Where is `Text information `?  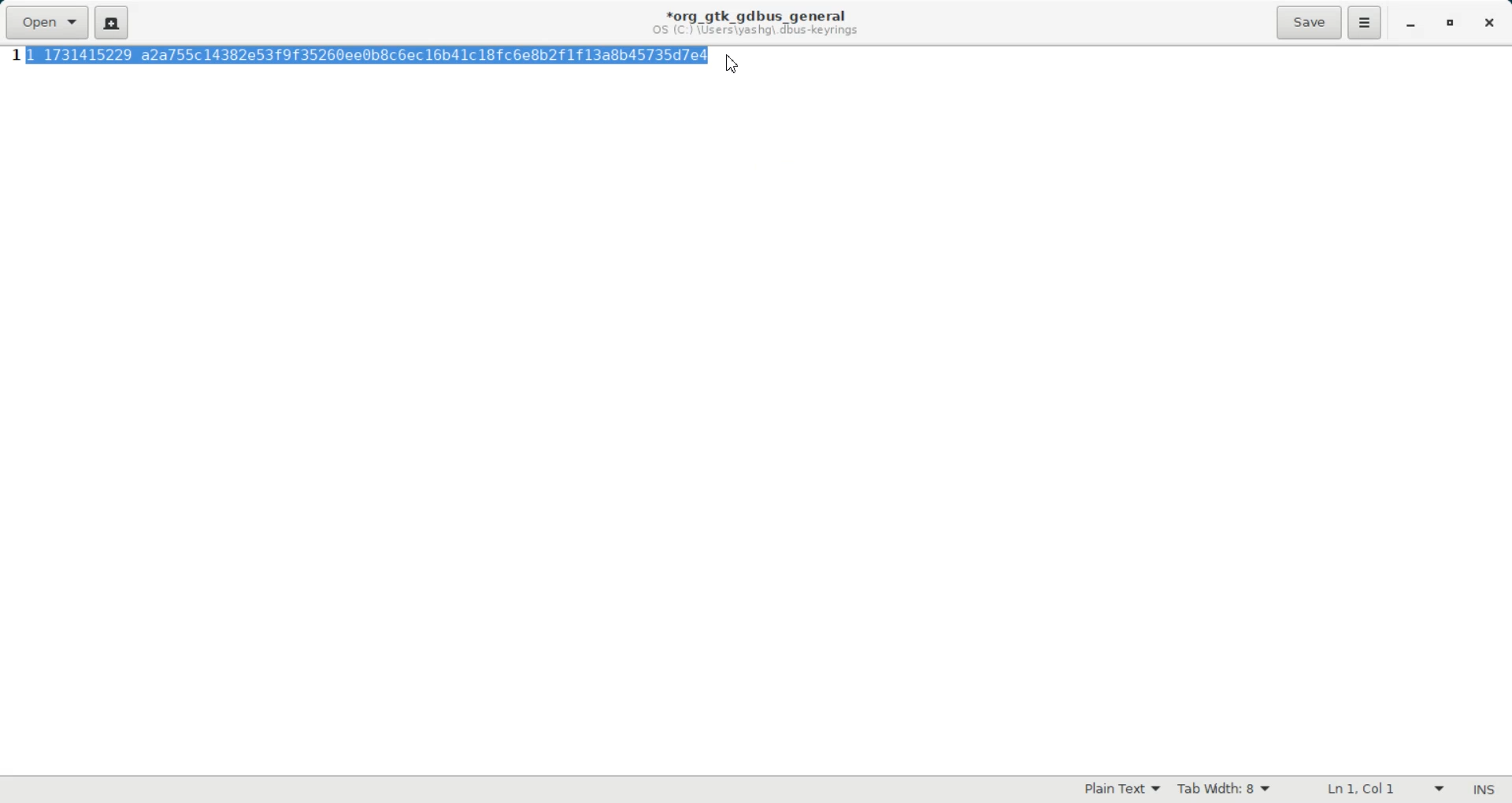
Text information  is located at coordinates (755, 22).